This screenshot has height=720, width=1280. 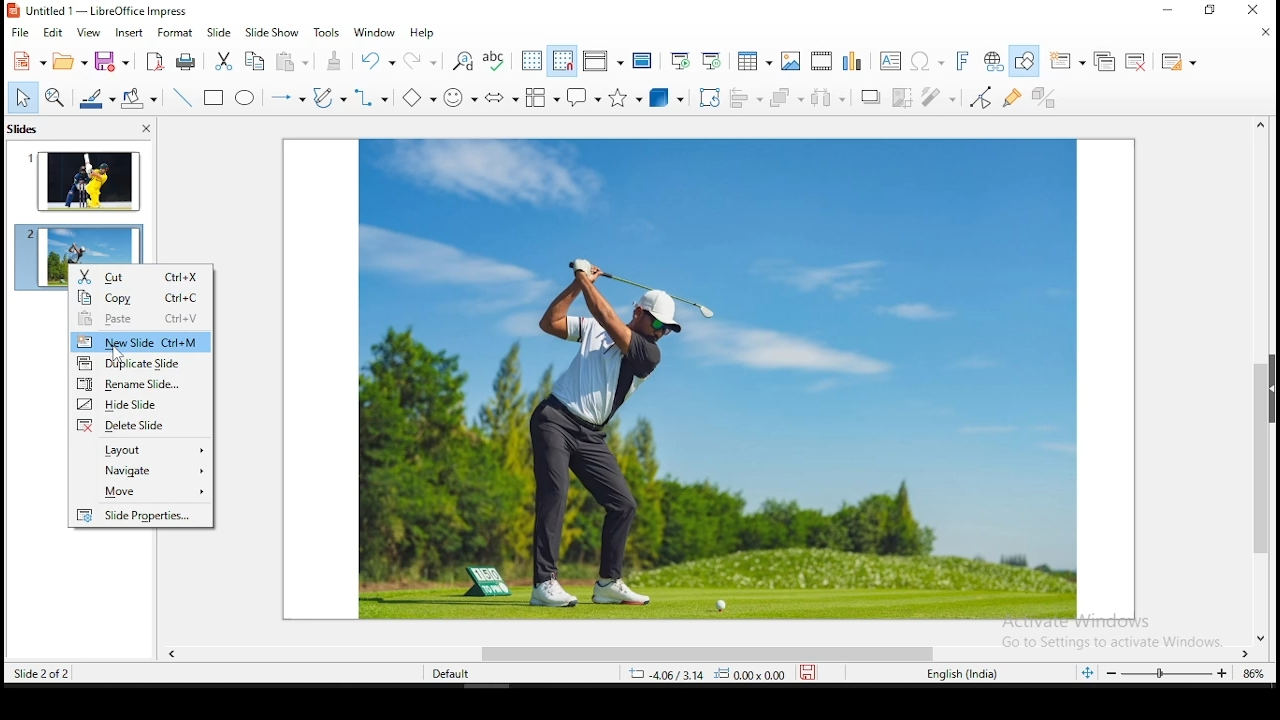 I want to click on 0.00x0.00, so click(x=752, y=674).